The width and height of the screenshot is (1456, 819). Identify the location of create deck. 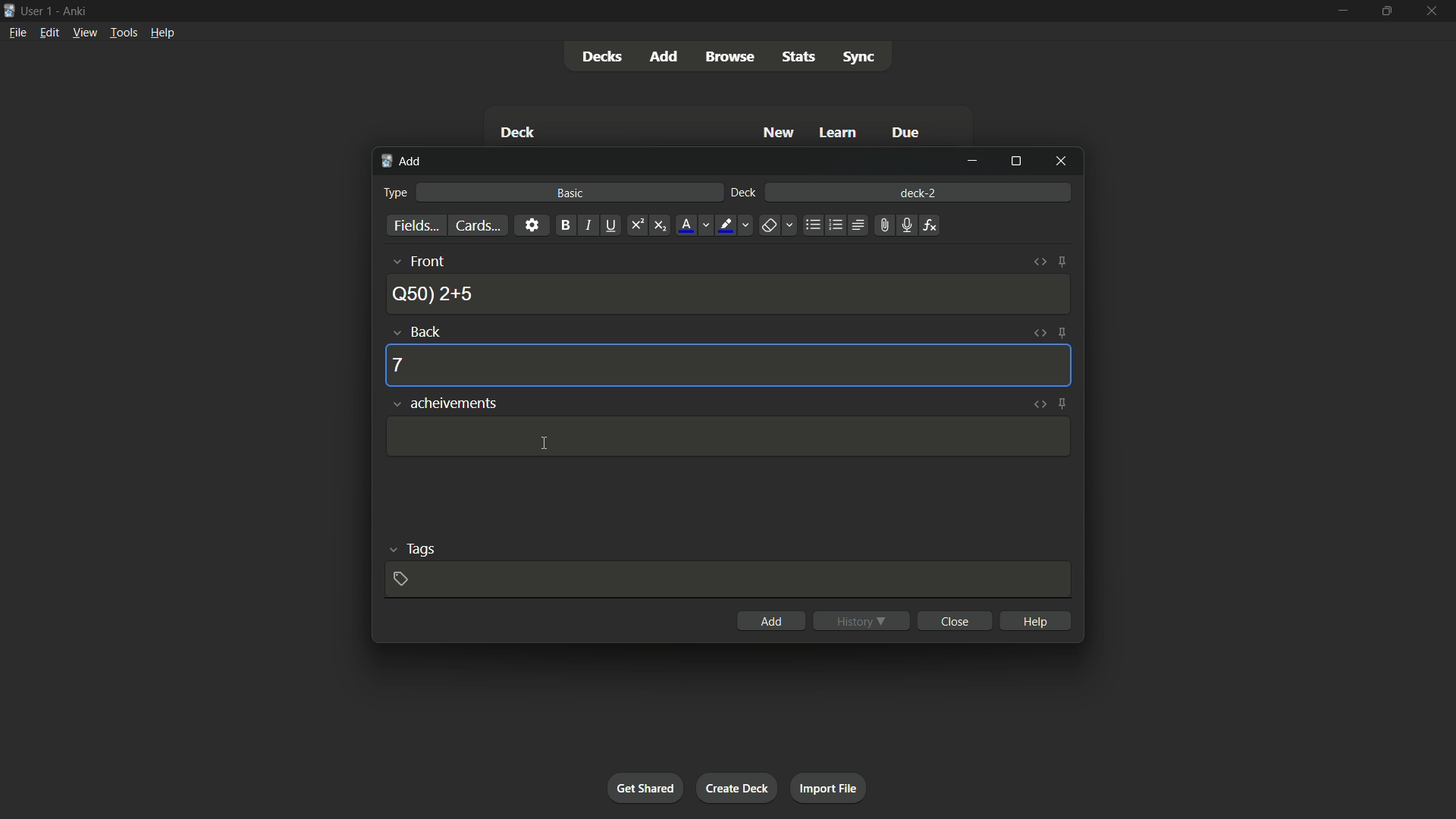
(738, 787).